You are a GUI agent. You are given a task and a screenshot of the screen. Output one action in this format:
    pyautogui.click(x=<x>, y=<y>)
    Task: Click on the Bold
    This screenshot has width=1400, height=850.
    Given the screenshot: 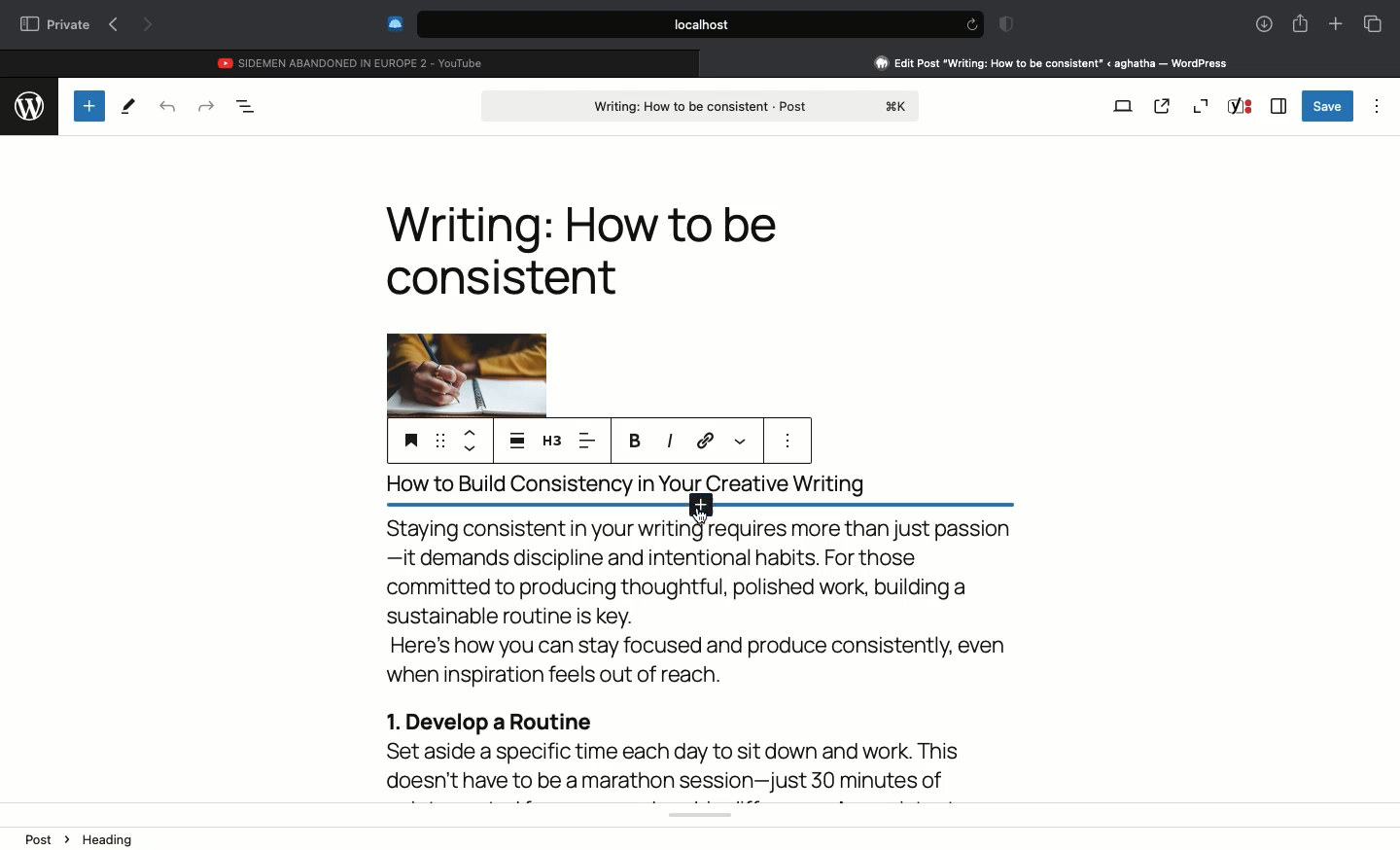 What is the action you would take?
    pyautogui.click(x=636, y=441)
    